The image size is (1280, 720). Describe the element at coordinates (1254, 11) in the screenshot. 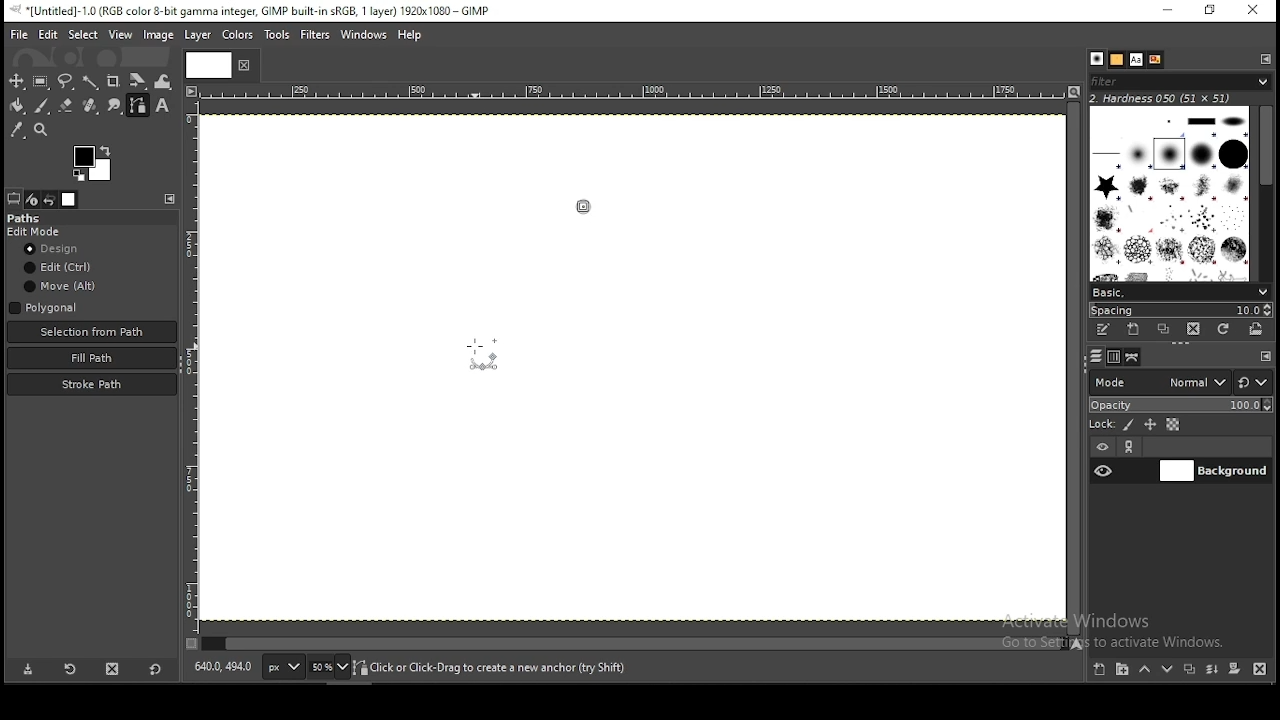

I see `close window` at that location.